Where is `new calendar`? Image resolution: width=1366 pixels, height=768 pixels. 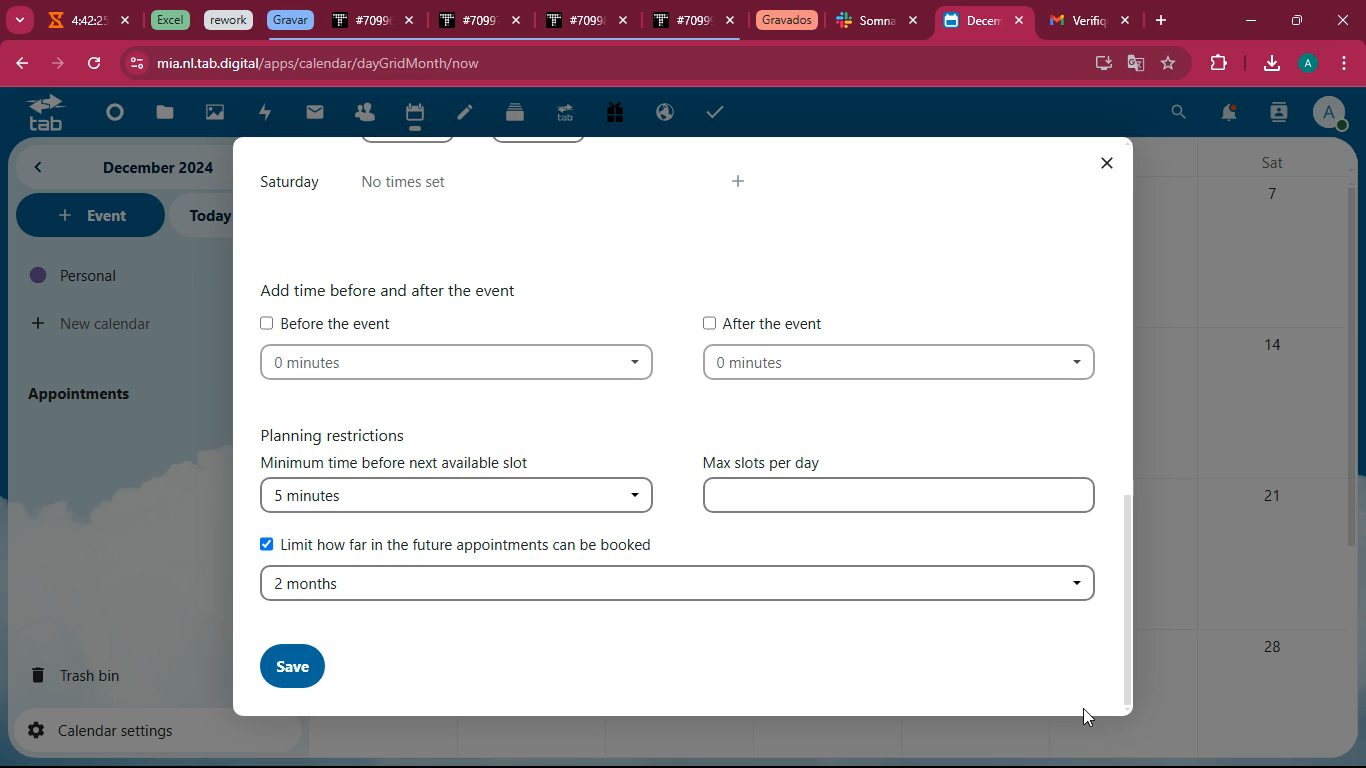 new calendar is located at coordinates (94, 324).